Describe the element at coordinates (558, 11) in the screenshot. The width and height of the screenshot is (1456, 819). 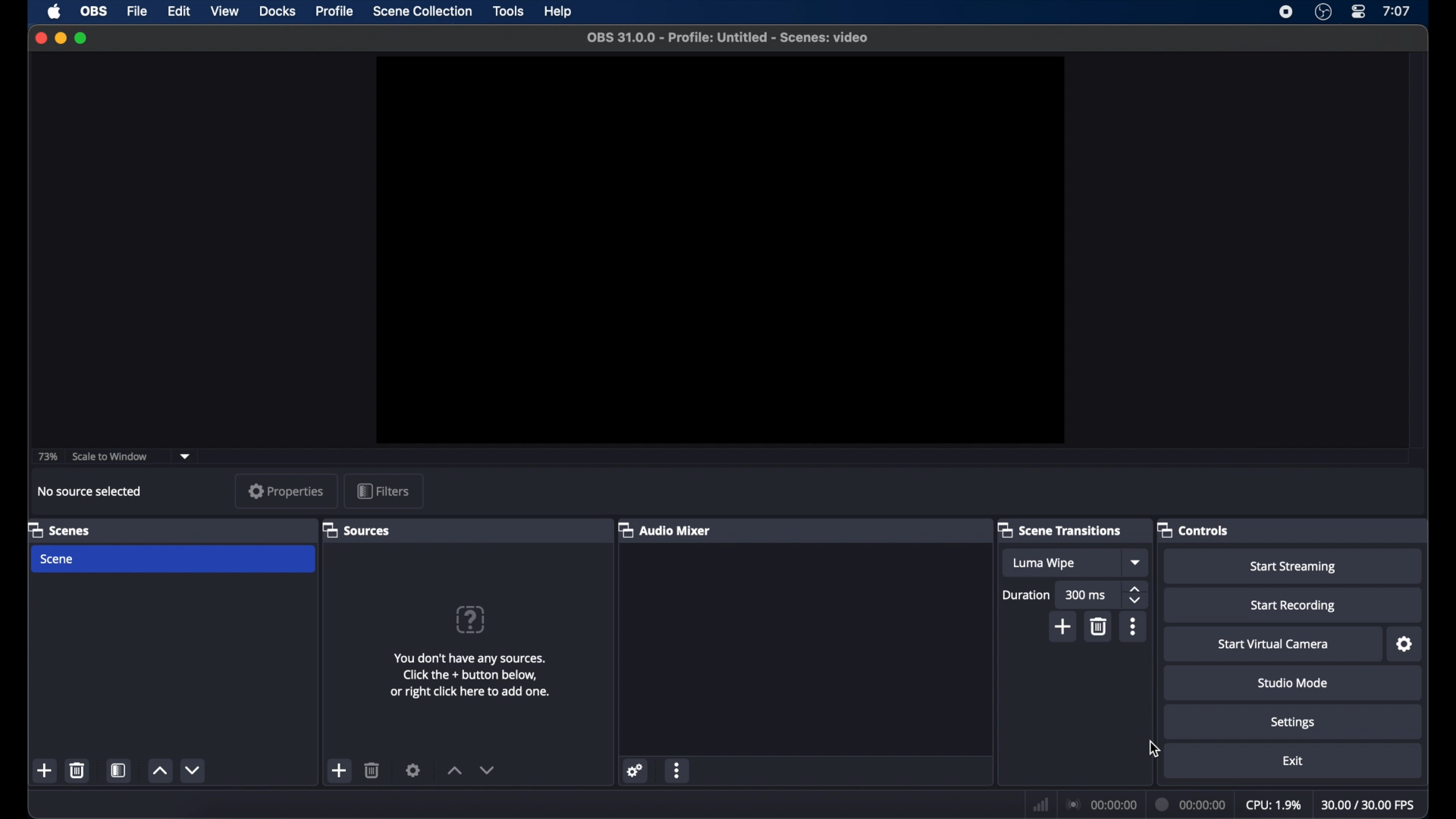
I see `help` at that location.